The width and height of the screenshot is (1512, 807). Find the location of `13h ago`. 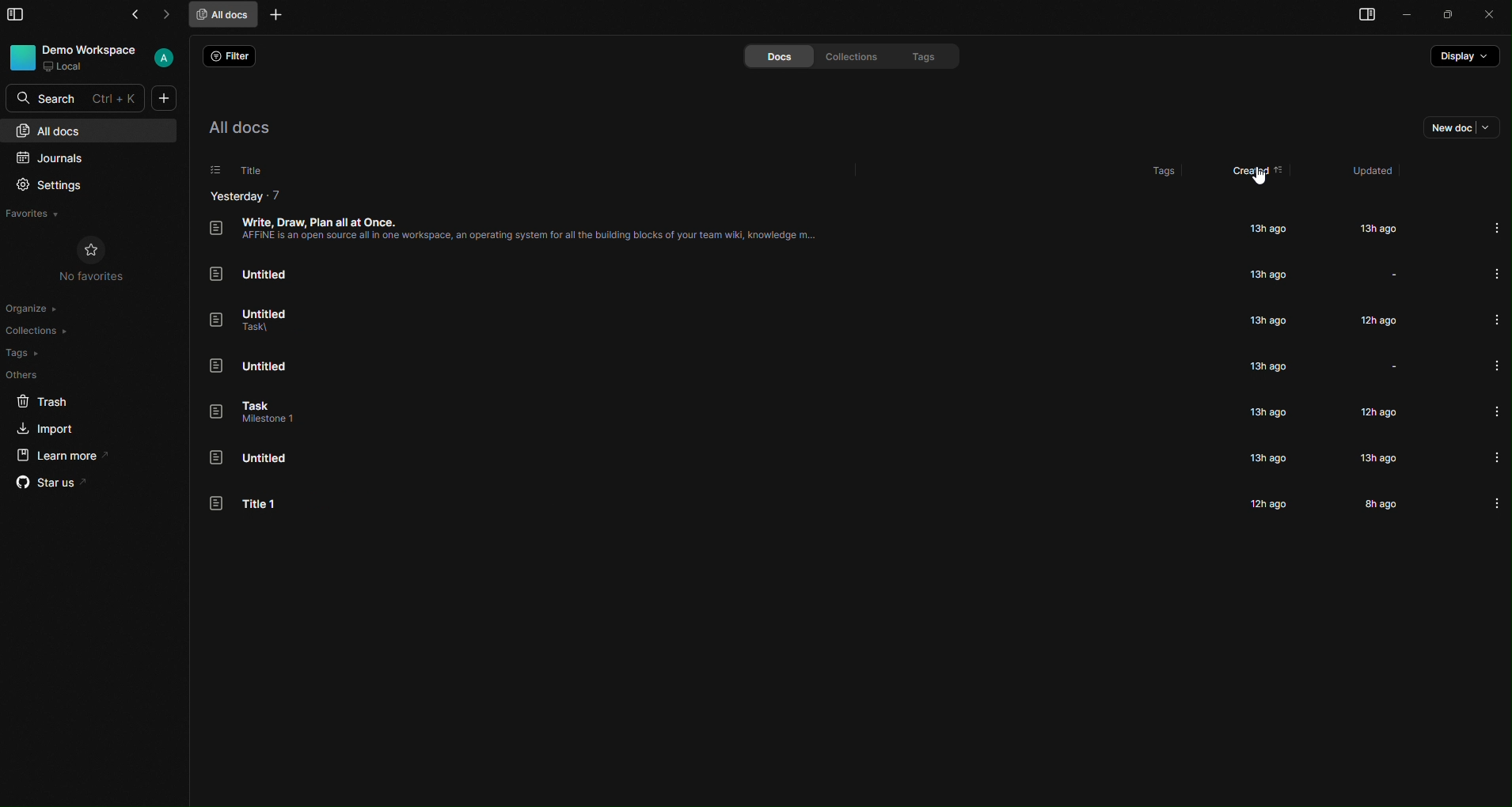

13h ago is located at coordinates (1270, 457).